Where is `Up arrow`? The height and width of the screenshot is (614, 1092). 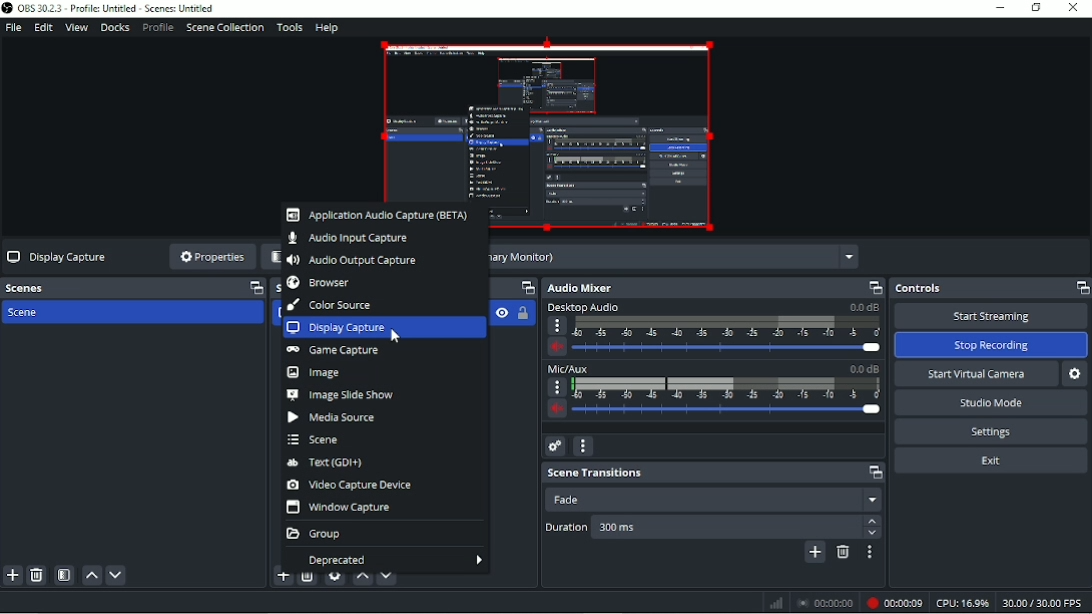
Up arrow is located at coordinates (872, 522).